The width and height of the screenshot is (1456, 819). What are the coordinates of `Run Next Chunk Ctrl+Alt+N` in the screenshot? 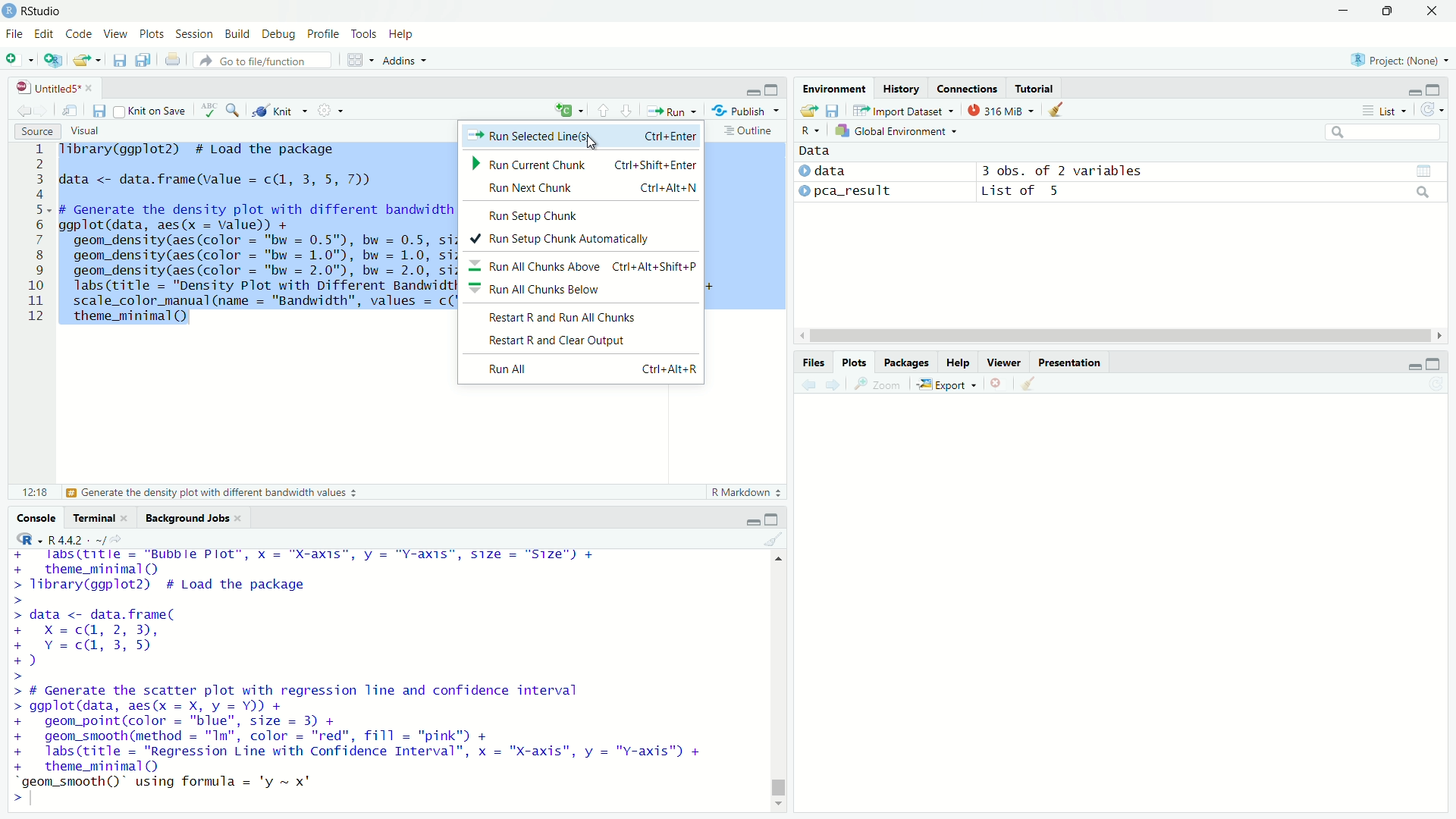 It's located at (583, 189).